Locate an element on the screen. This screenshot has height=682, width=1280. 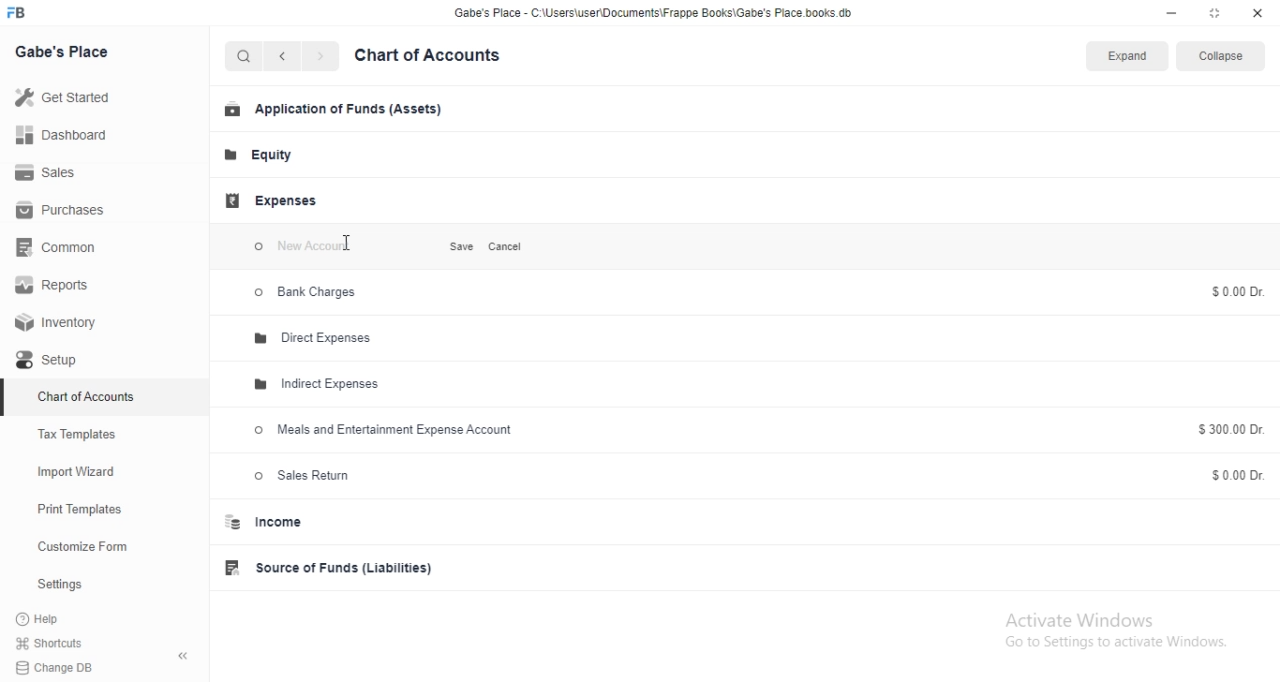
Chart of Accounts. is located at coordinates (447, 57).